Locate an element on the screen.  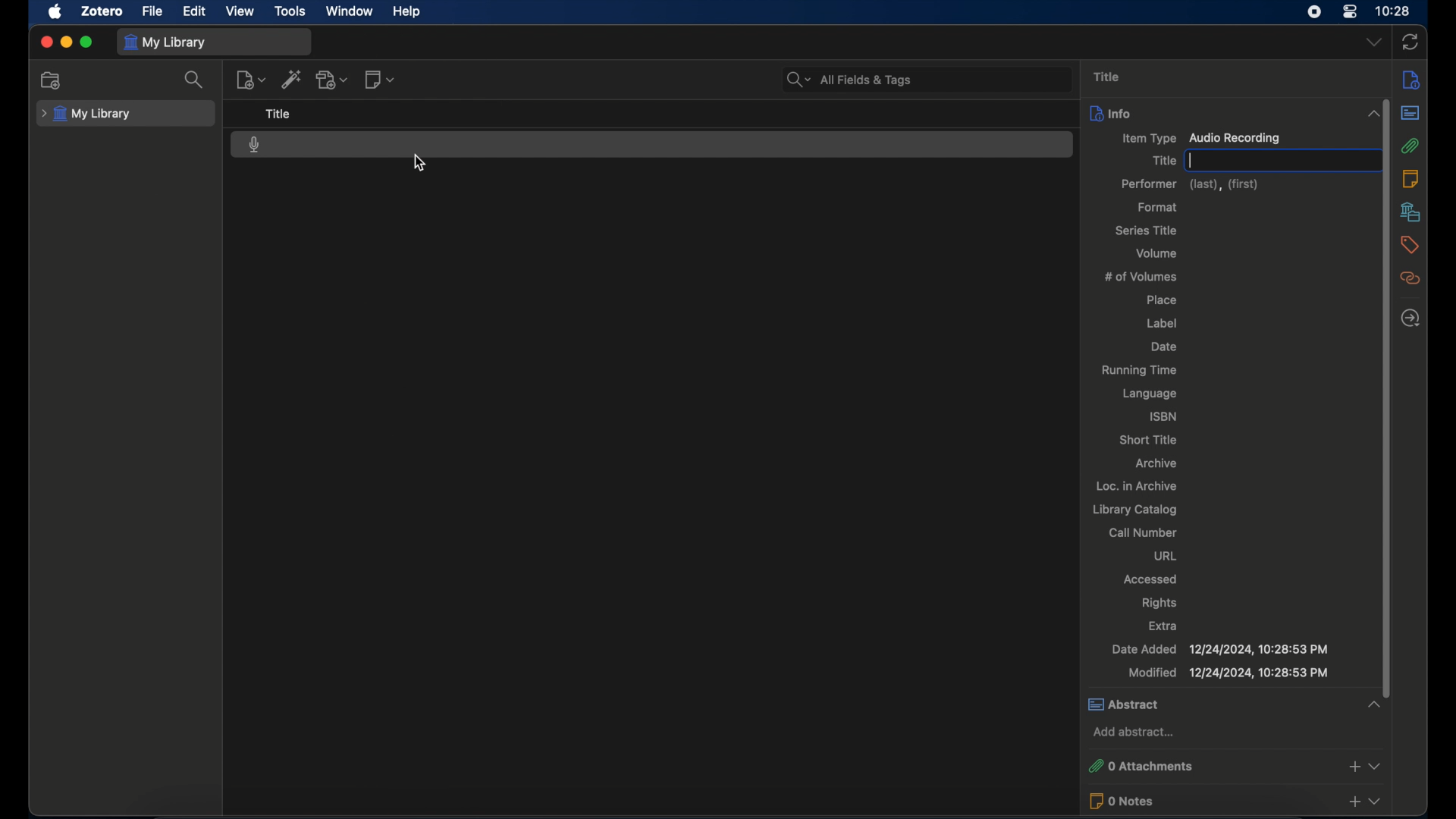
place is located at coordinates (1161, 301).